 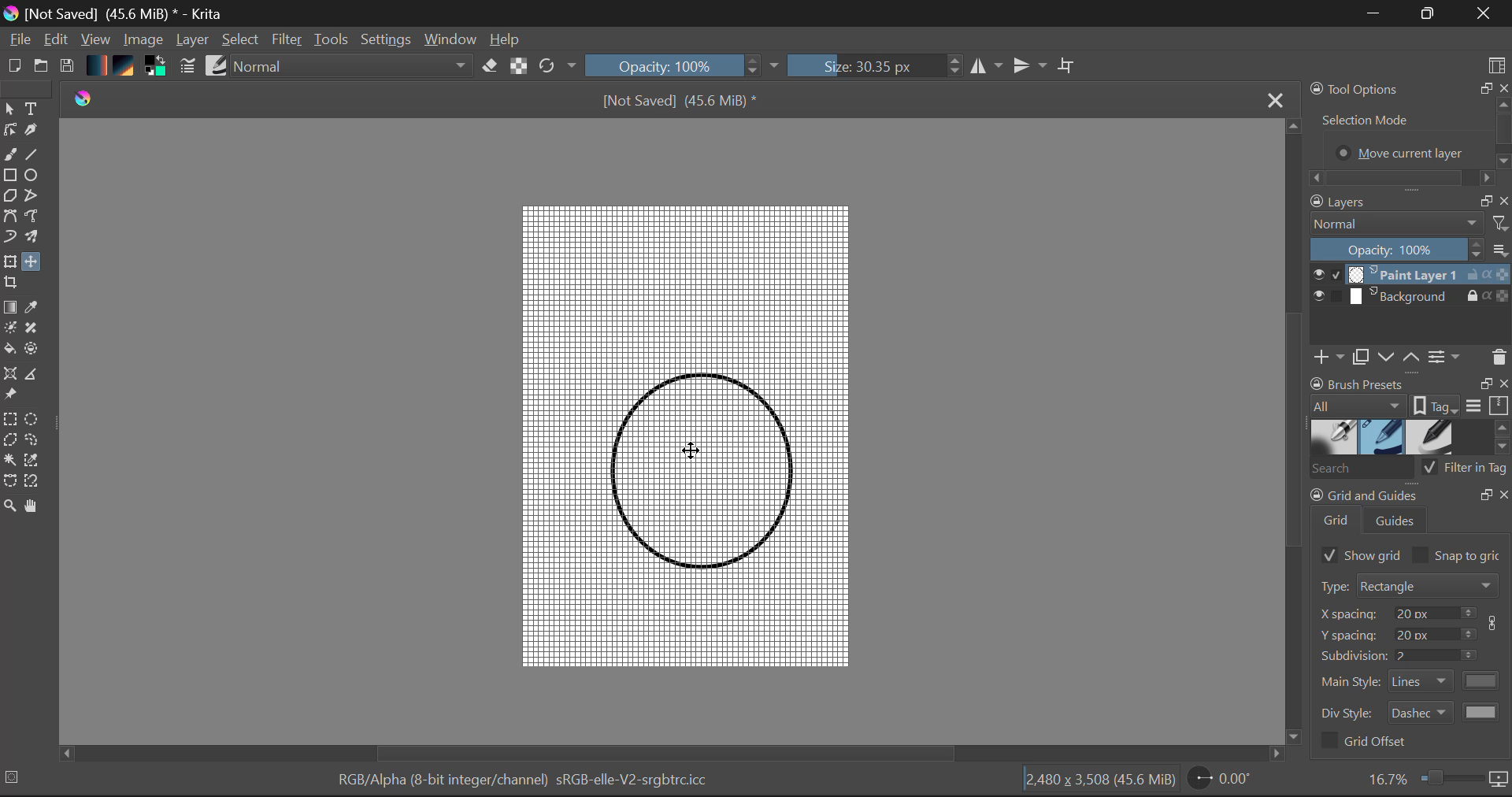 What do you see at coordinates (387, 42) in the screenshot?
I see `Settings` at bounding box center [387, 42].